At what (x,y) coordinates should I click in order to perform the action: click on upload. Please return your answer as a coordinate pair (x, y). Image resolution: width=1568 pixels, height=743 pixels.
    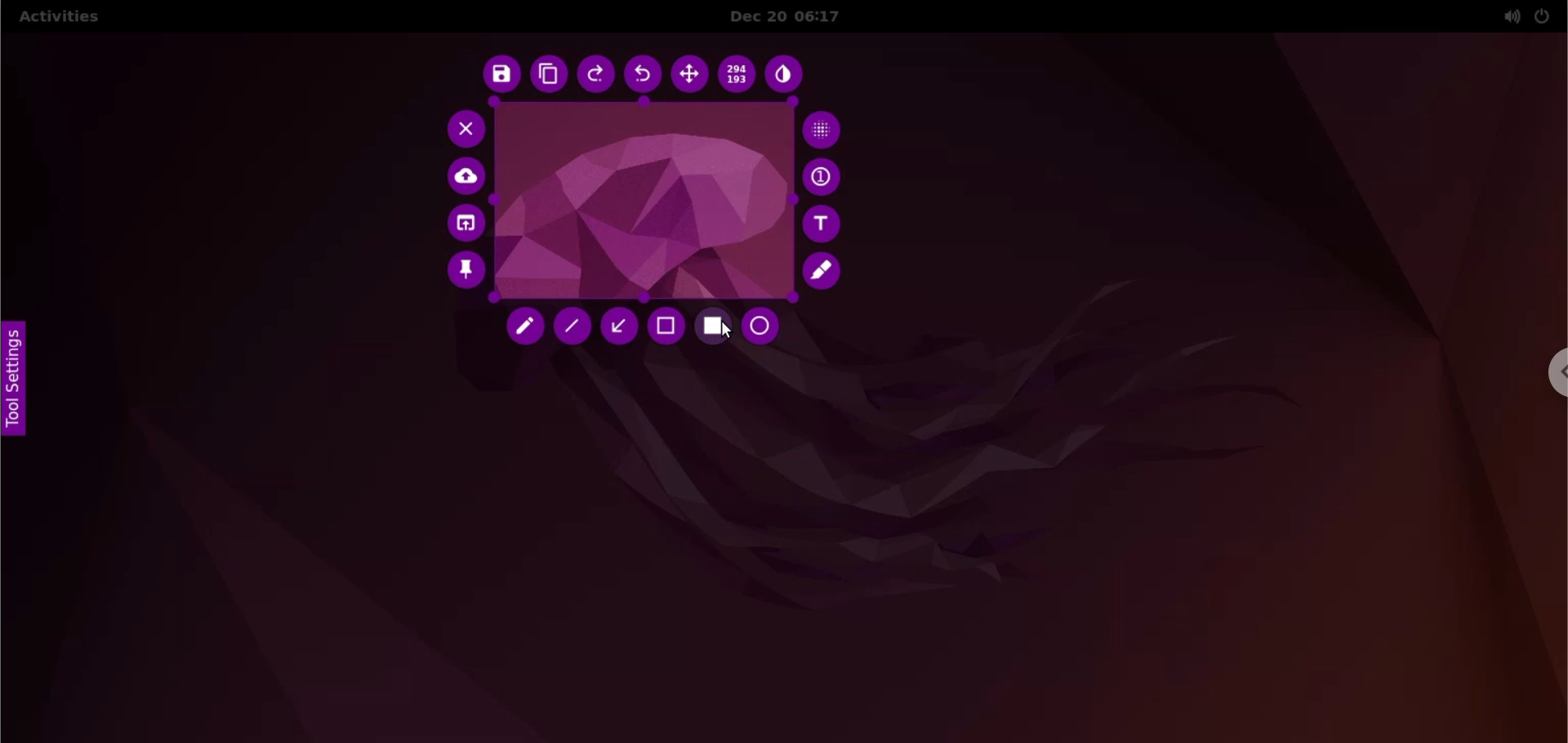
    Looking at the image, I should click on (468, 177).